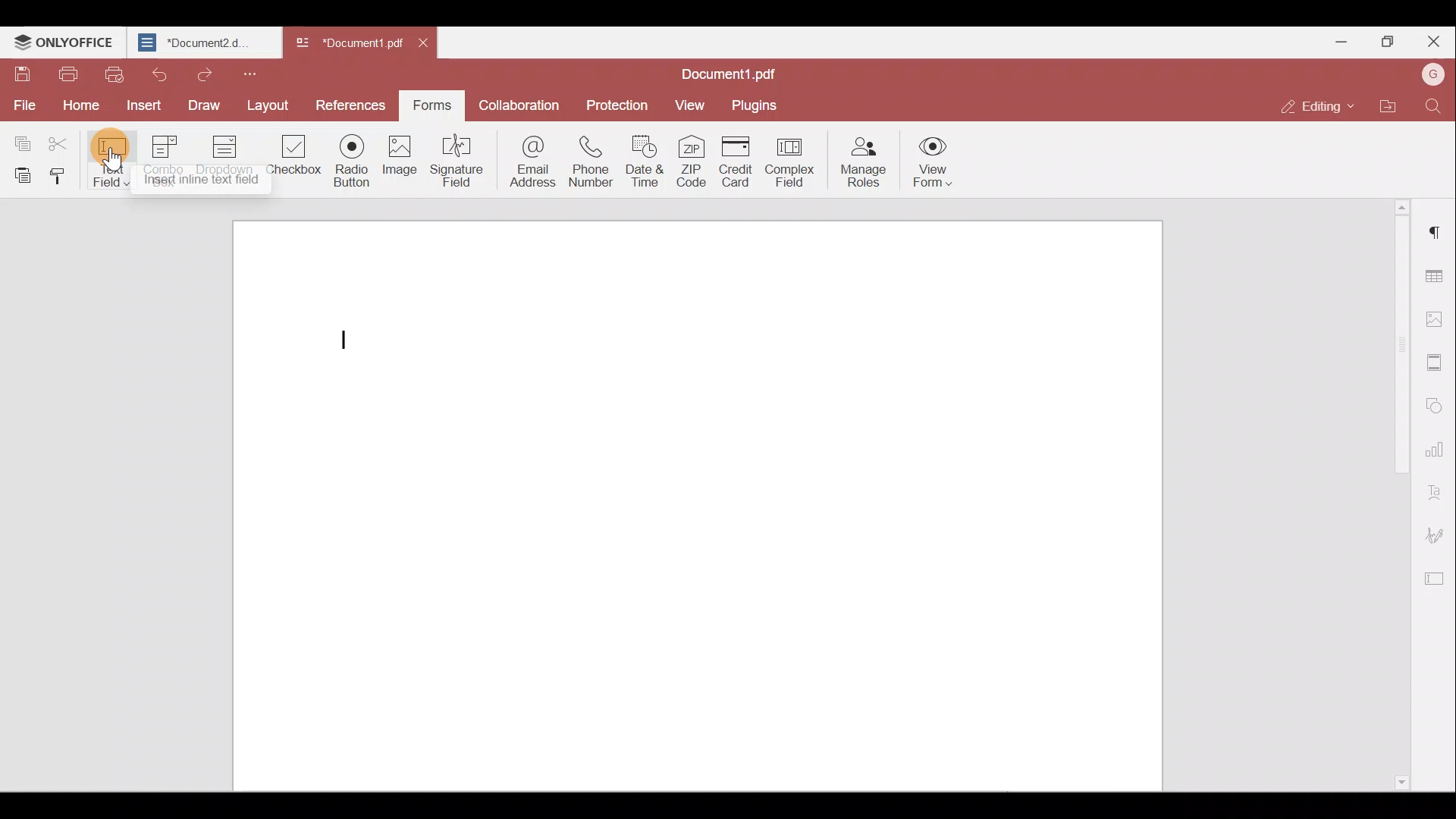 The image size is (1456, 819). Describe the element at coordinates (524, 104) in the screenshot. I see `Collaboration` at that location.